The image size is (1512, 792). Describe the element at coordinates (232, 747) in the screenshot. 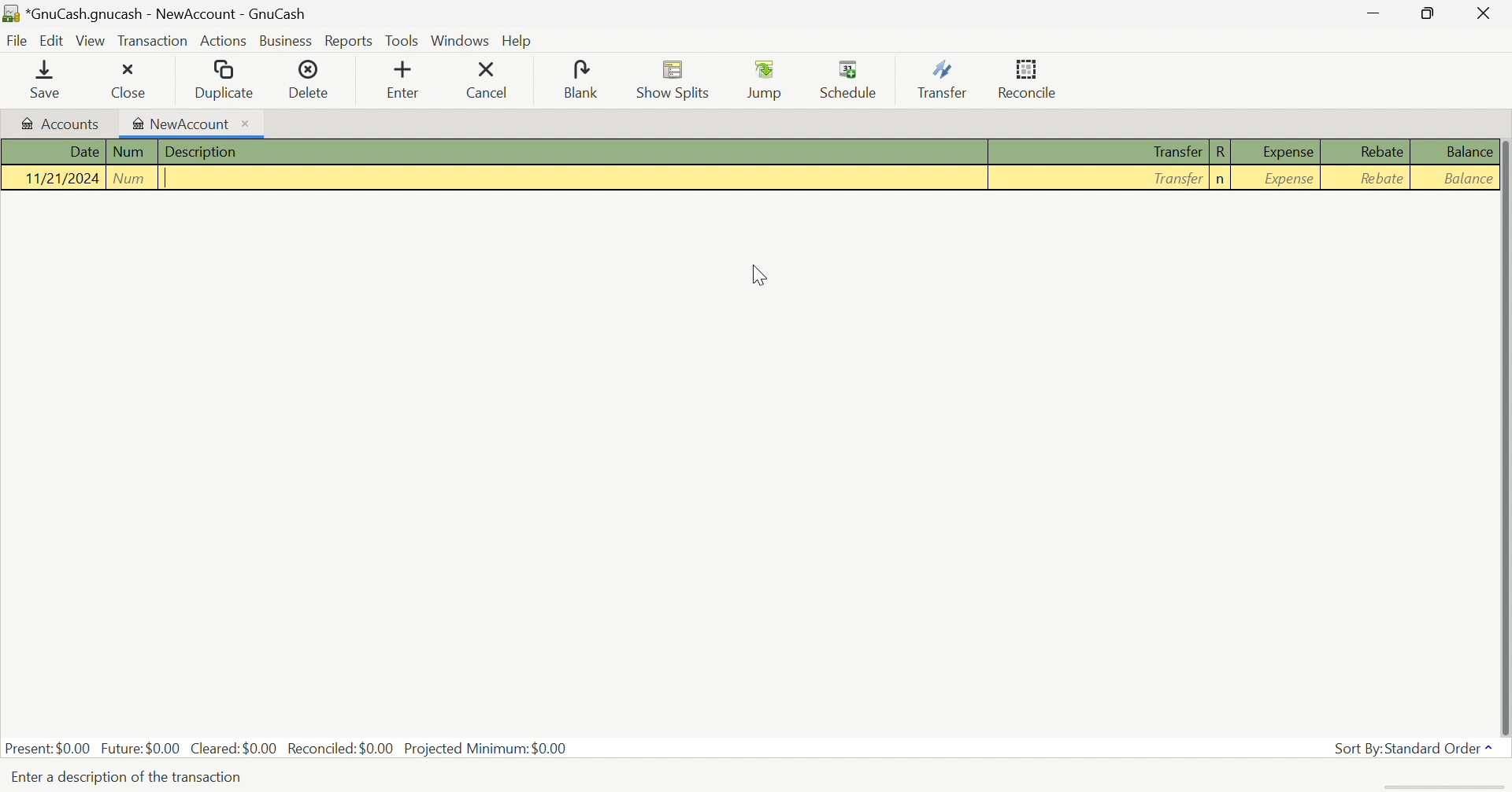

I see `Cleared: $0.00` at that location.